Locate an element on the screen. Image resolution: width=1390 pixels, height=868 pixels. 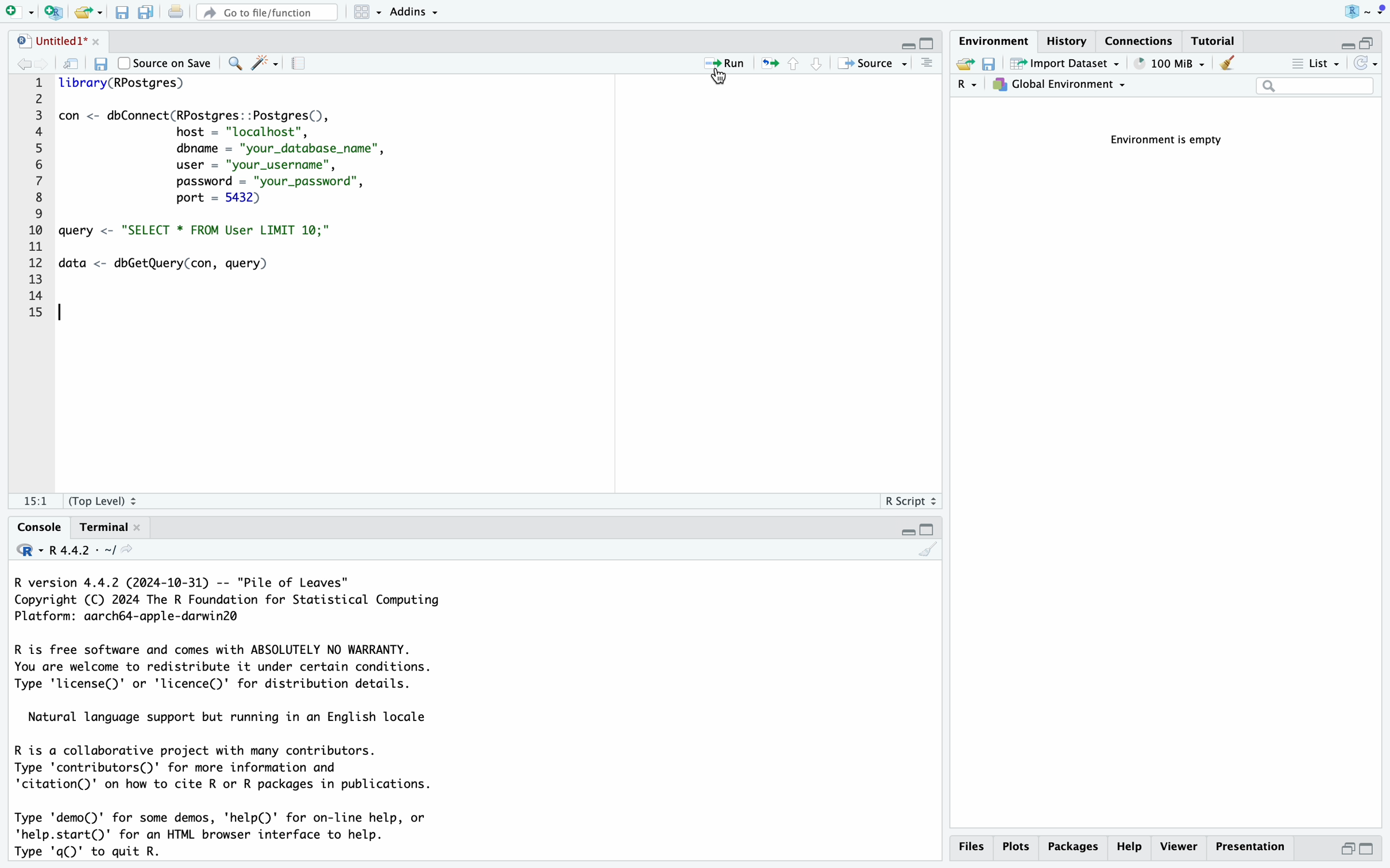
environment is located at coordinates (995, 39).